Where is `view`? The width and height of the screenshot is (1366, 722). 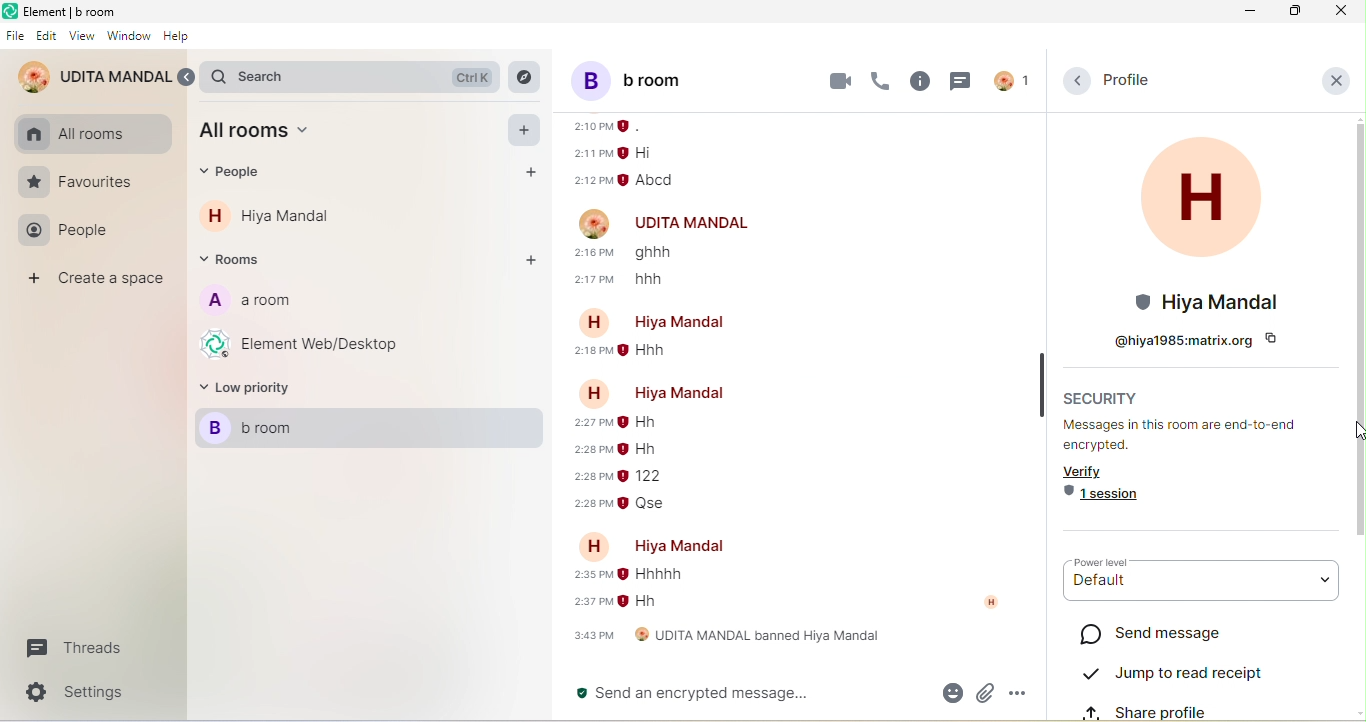
view is located at coordinates (84, 35).